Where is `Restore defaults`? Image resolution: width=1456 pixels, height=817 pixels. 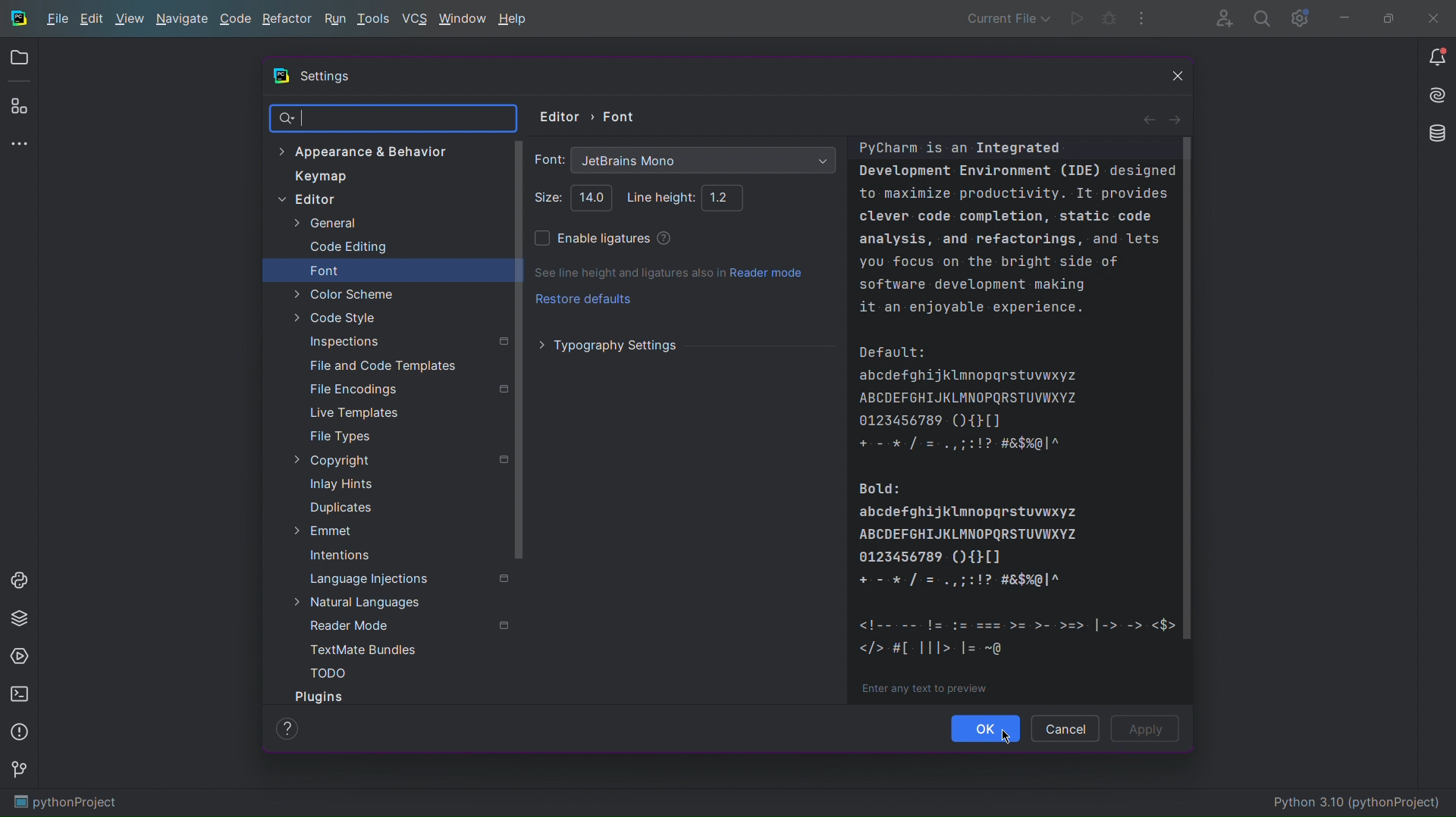
Restore defaults is located at coordinates (588, 299).